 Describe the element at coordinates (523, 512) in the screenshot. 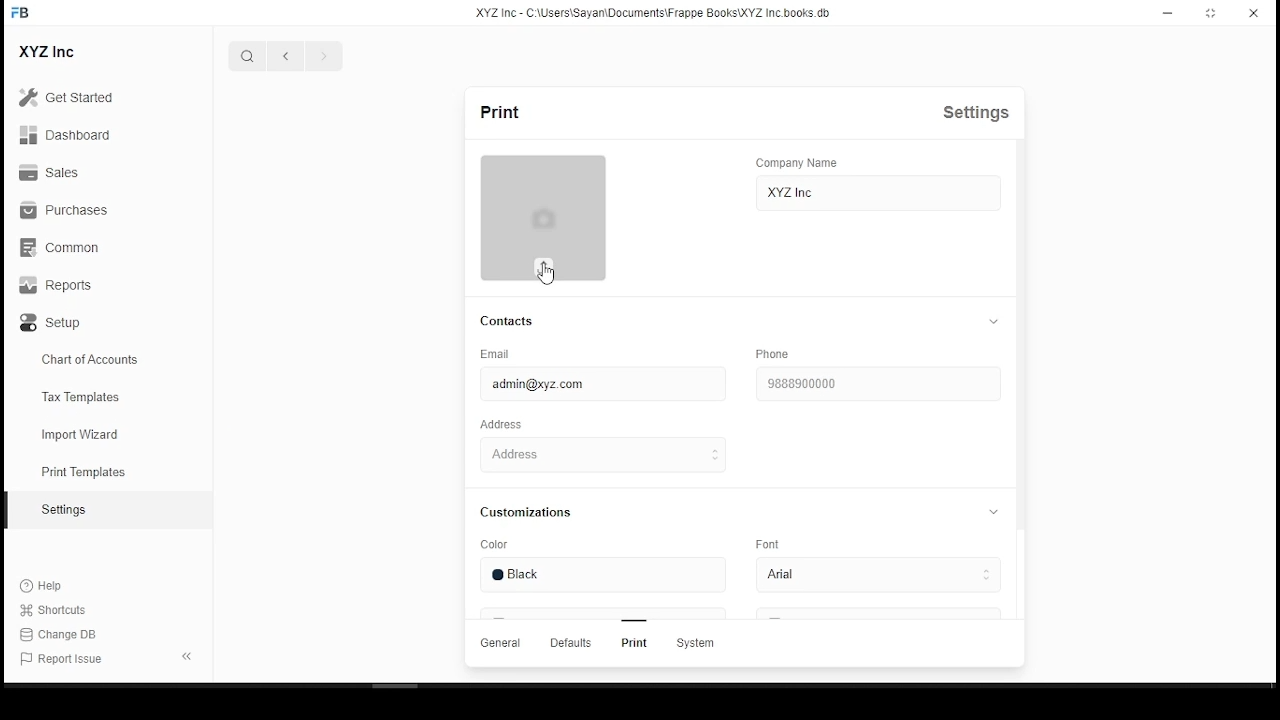

I see `Customizations` at that location.